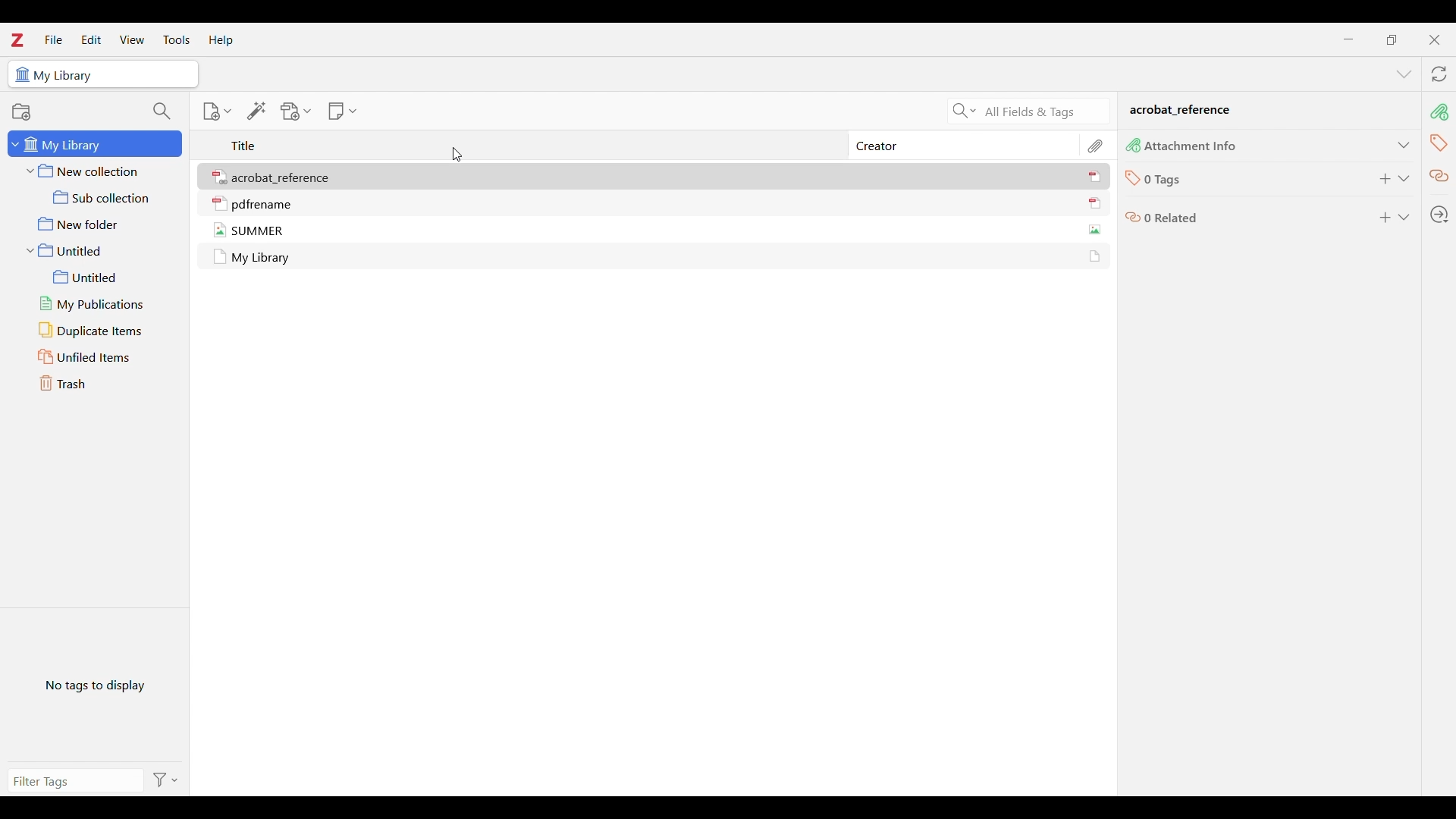 Image resolution: width=1456 pixels, height=819 pixels. I want to click on acrobat _reference, so click(1181, 111).